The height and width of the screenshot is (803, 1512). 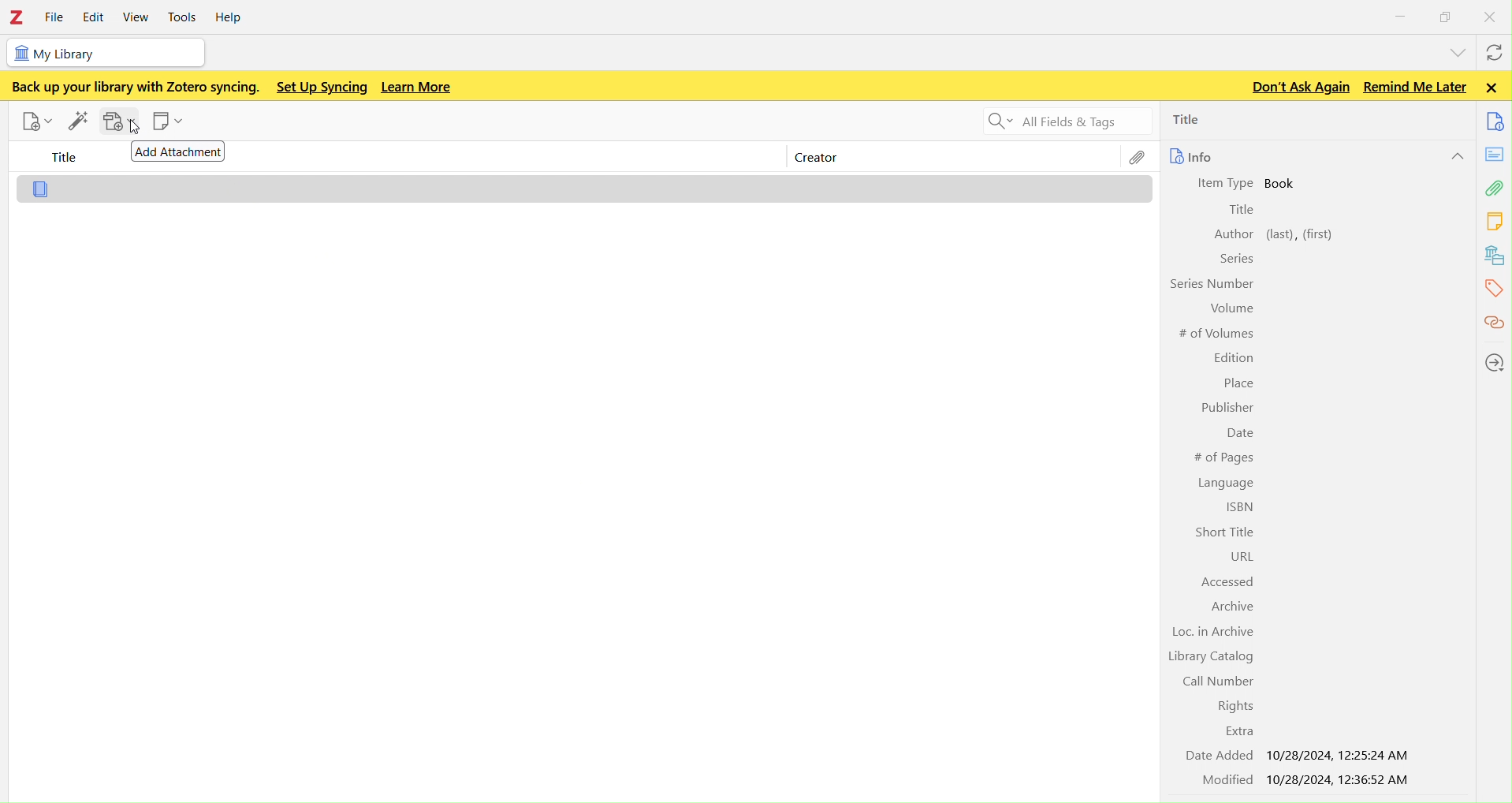 What do you see at coordinates (1214, 332) in the screenshot?
I see `# of Volumes` at bounding box center [1214, 332].